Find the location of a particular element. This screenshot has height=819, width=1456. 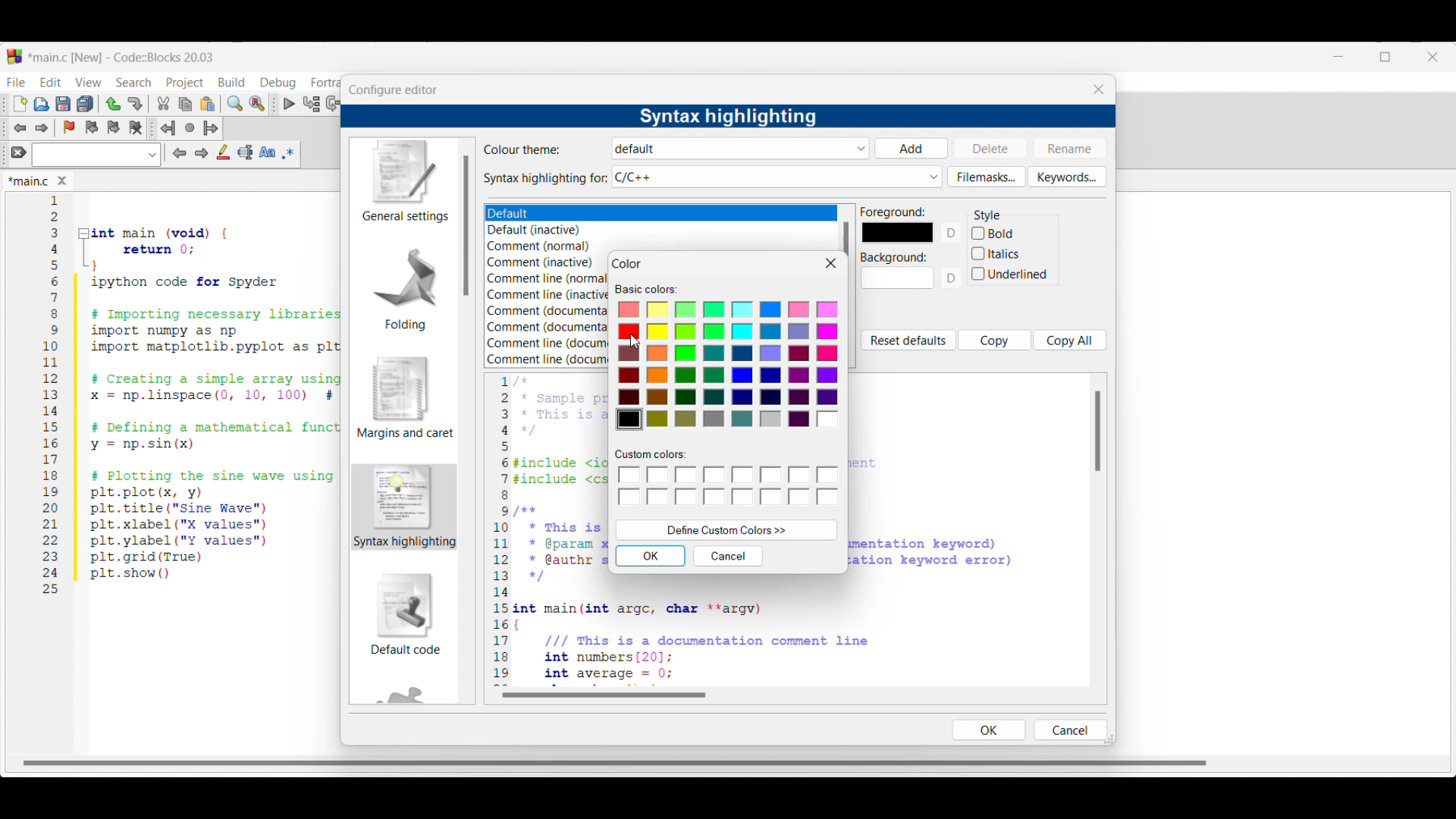

Copy is located at coordinates (185, 105).